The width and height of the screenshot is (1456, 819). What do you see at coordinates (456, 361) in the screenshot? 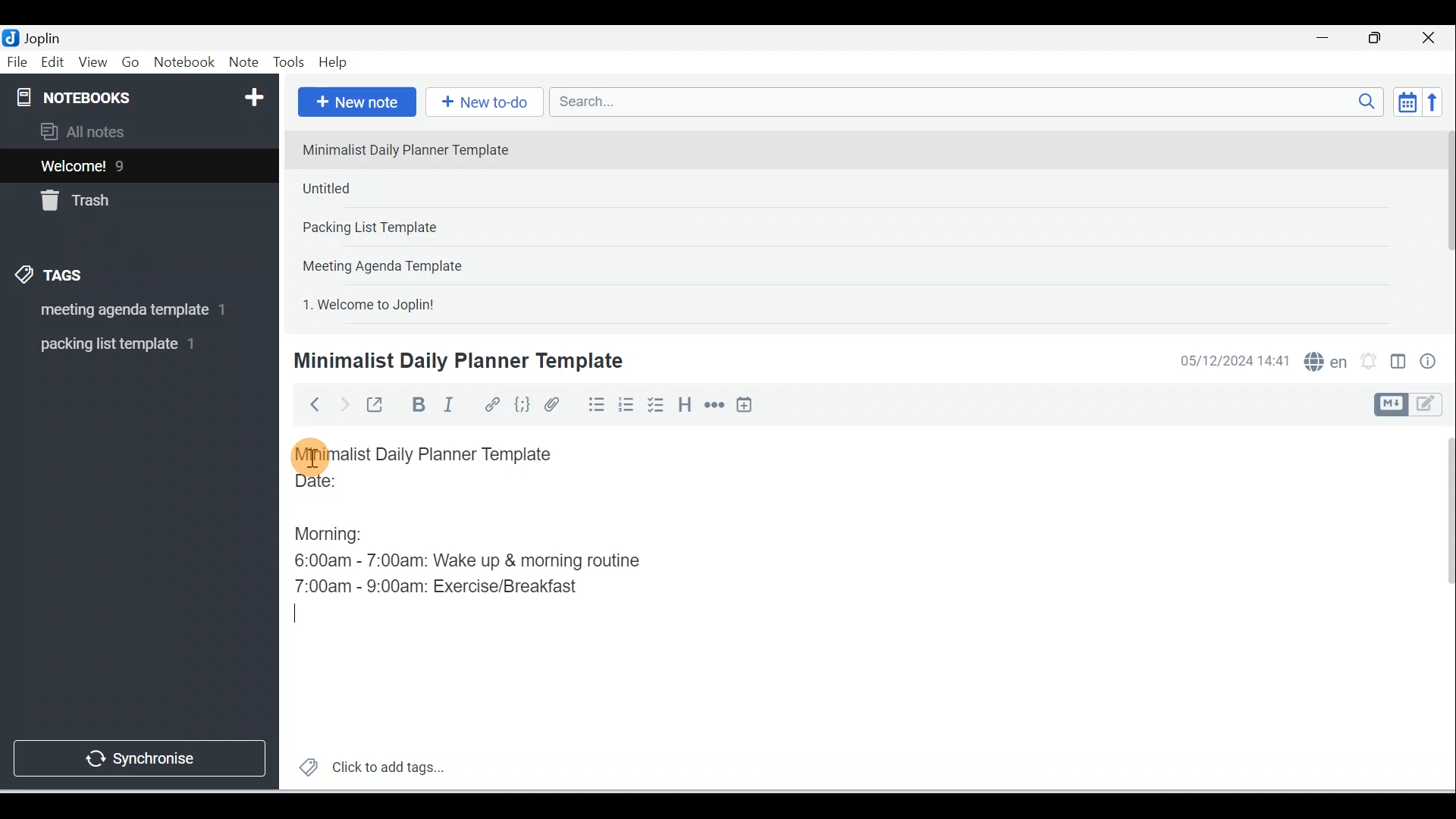
I see `Minimalist Daily Planner Template` at bounding box center [456, 361].